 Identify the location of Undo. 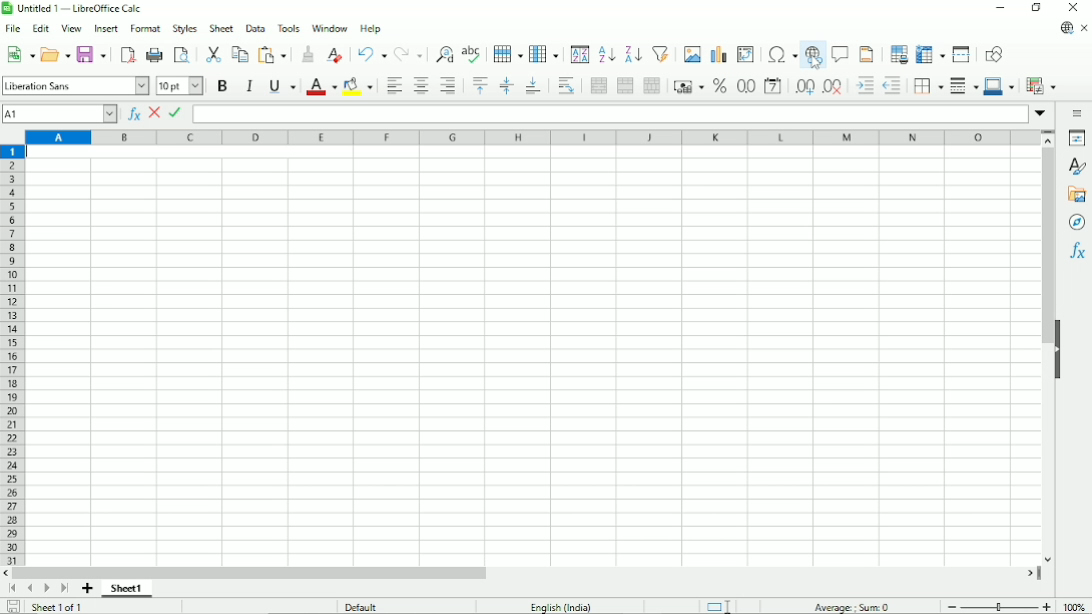
(372, 54).